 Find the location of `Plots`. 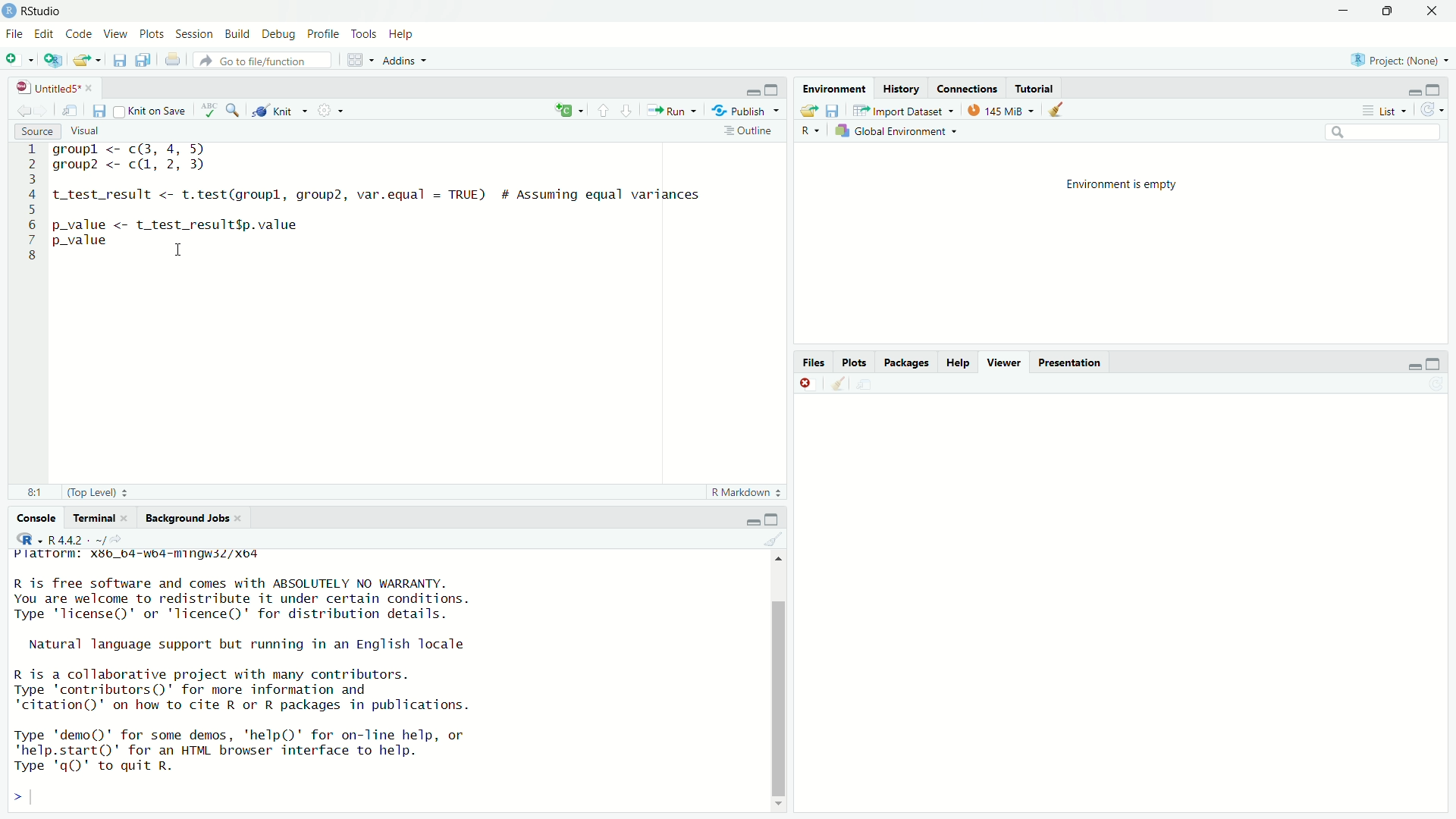

Plots is located at coordinates (855, 362).